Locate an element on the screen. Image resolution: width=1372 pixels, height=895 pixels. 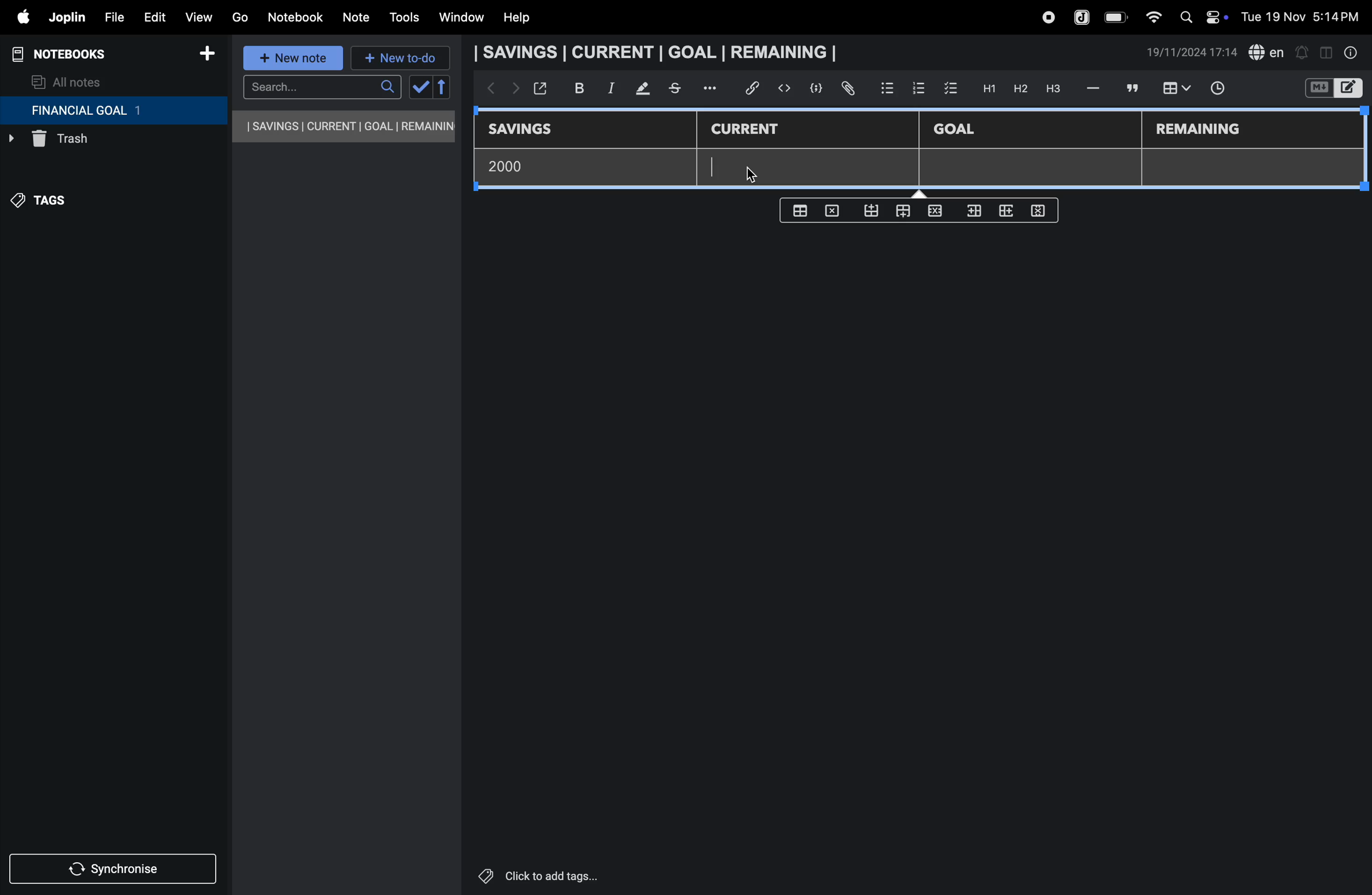
check box is located at coordinates (951, 89).